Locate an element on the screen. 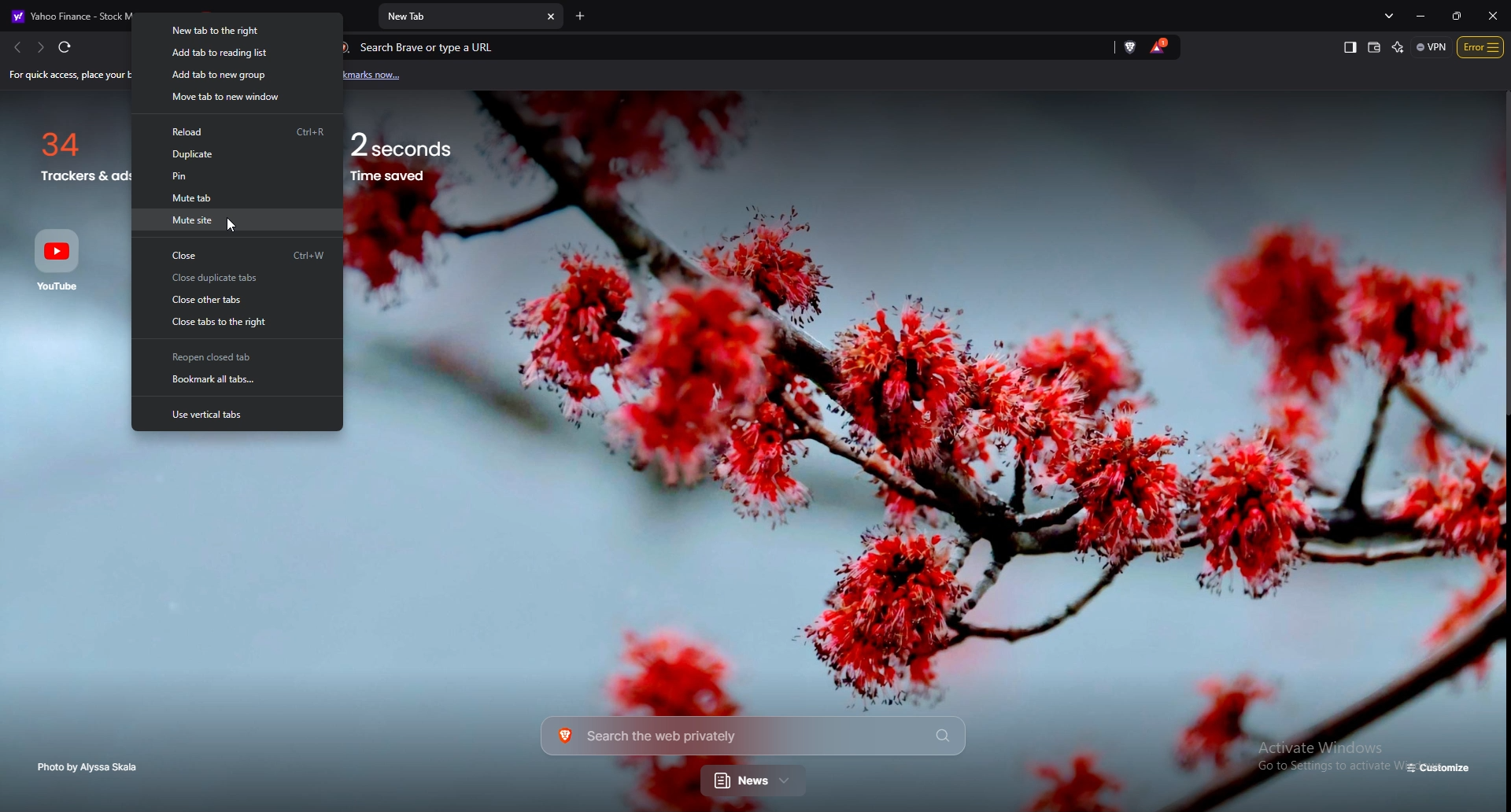  add tab to reading list is located at coordinates (237, 54).